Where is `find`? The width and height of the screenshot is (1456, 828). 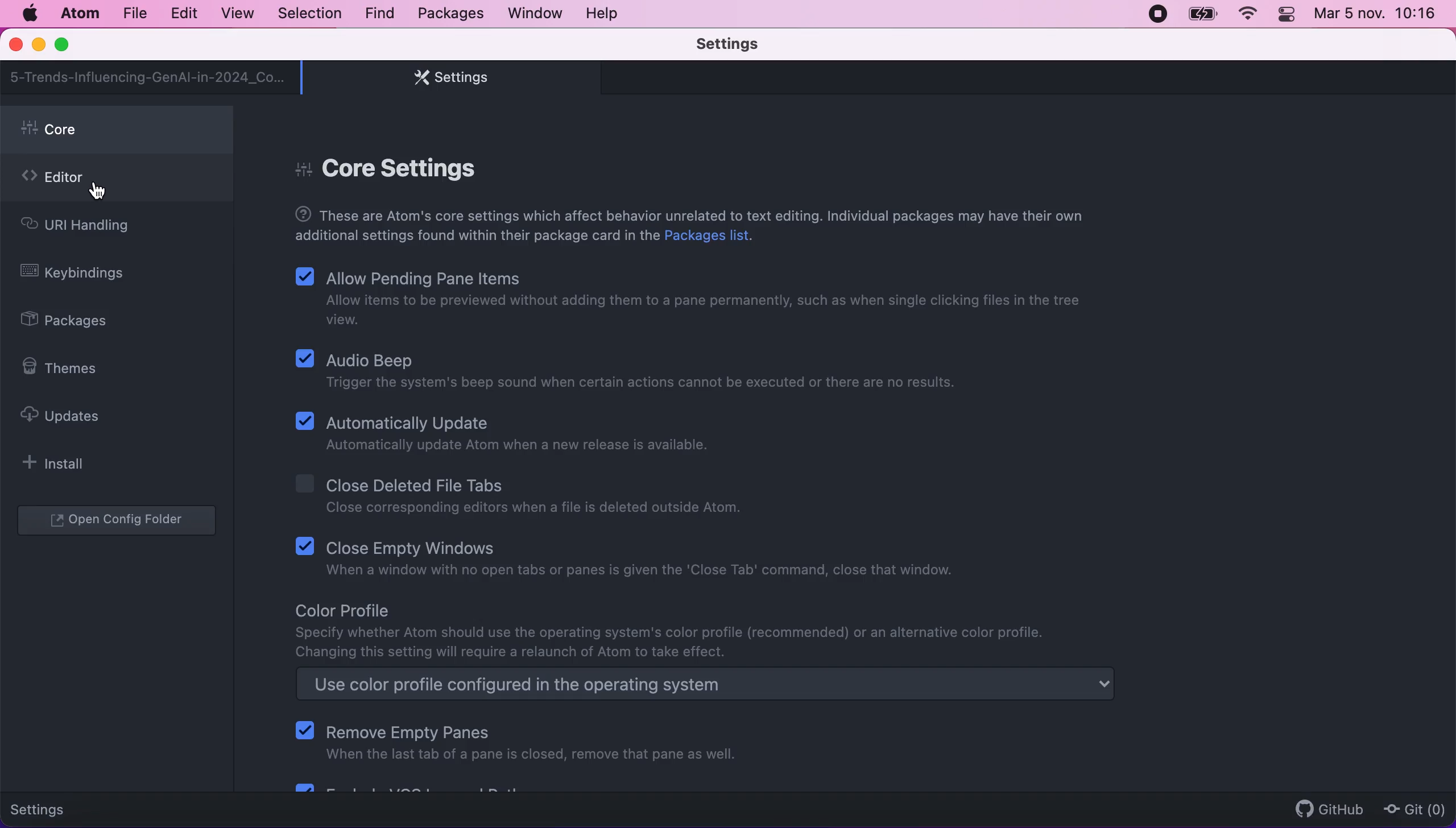 find is located at coordinates (379, 14).